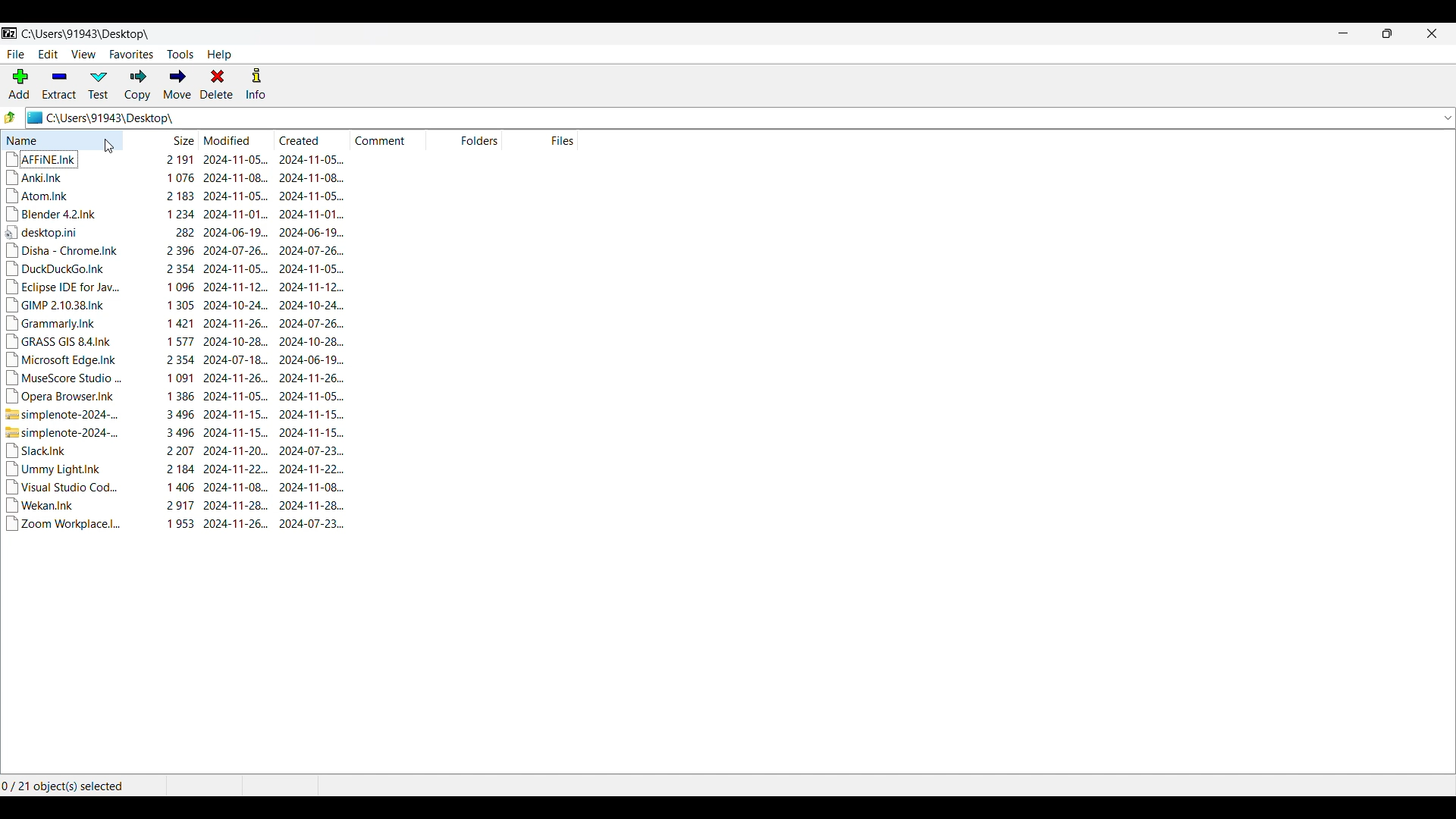 The image size is (1456, 819). Describe the element at coordinates (175, 305) in the screenshot. I see `GIMP 2.10.38.Ink 1305 2024-10-24... 2024-10-24.` at that location.